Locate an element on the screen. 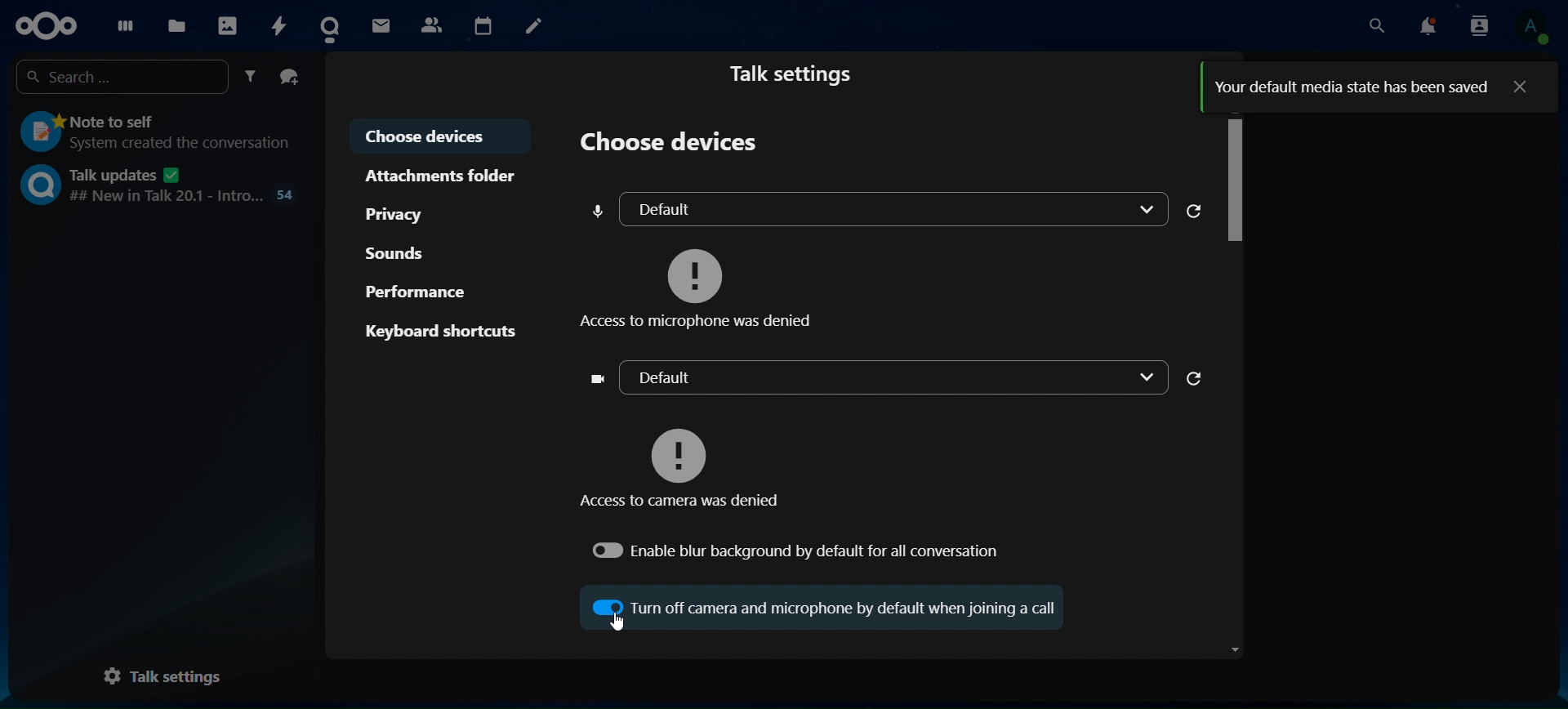 Image resolution: width=1568 pixels, height=709 pixels. talk is located at coordinates (797, 74).